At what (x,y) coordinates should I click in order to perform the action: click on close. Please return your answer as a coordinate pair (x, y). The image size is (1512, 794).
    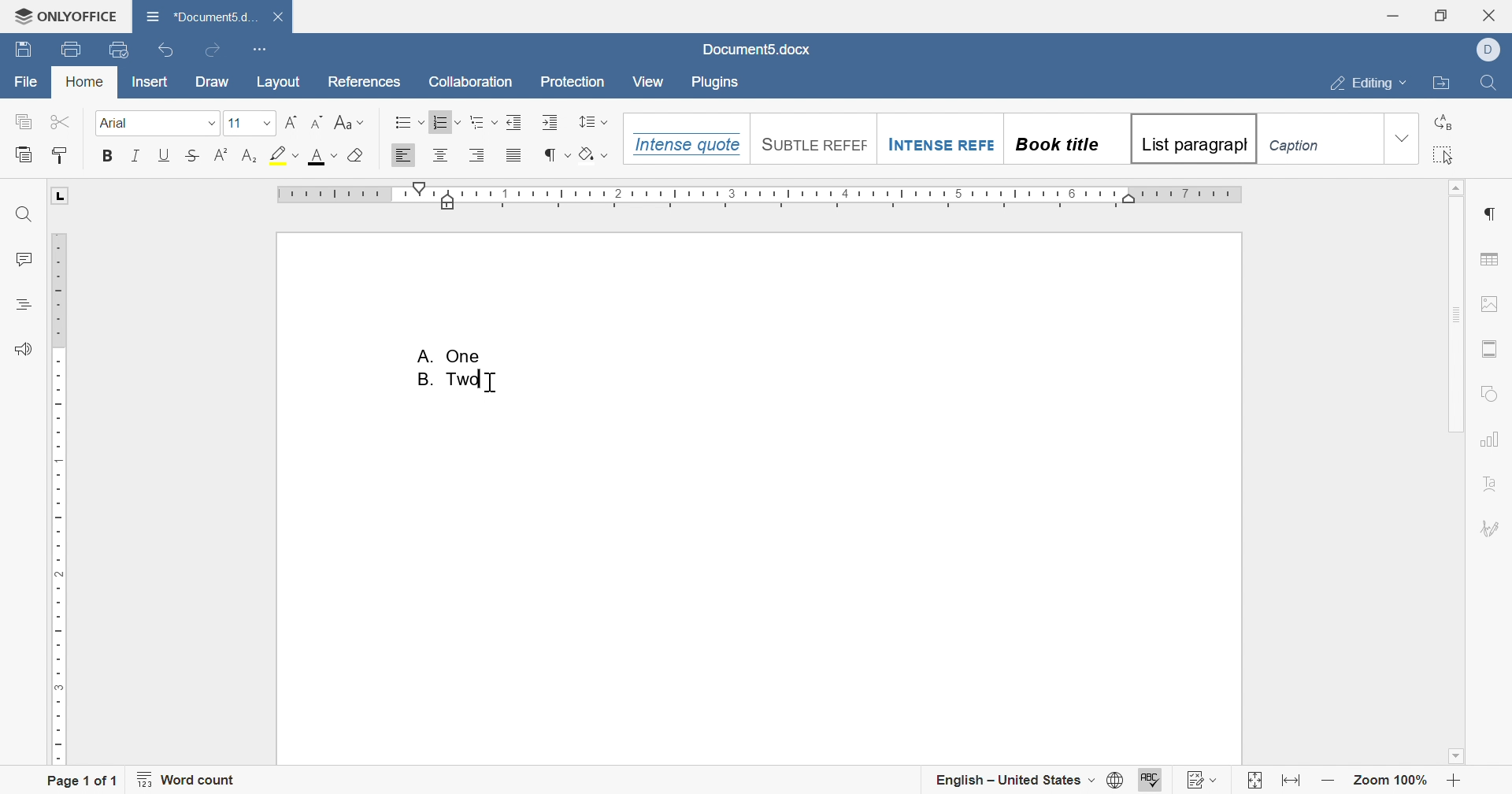
    Looking at the image, I should click on (1492, 16).